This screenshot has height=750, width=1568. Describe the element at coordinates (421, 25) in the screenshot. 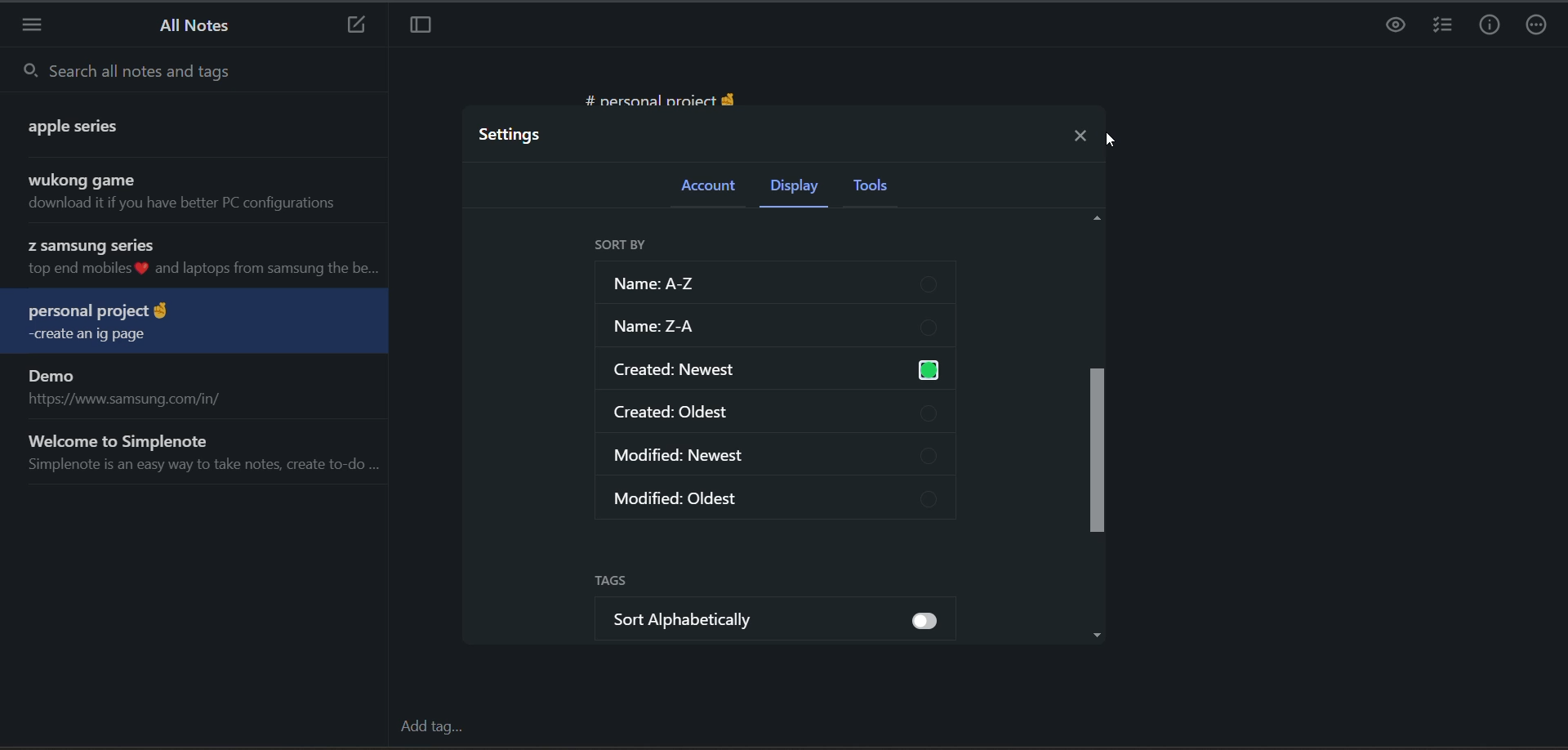

I see `toggle focus mode` at that location.